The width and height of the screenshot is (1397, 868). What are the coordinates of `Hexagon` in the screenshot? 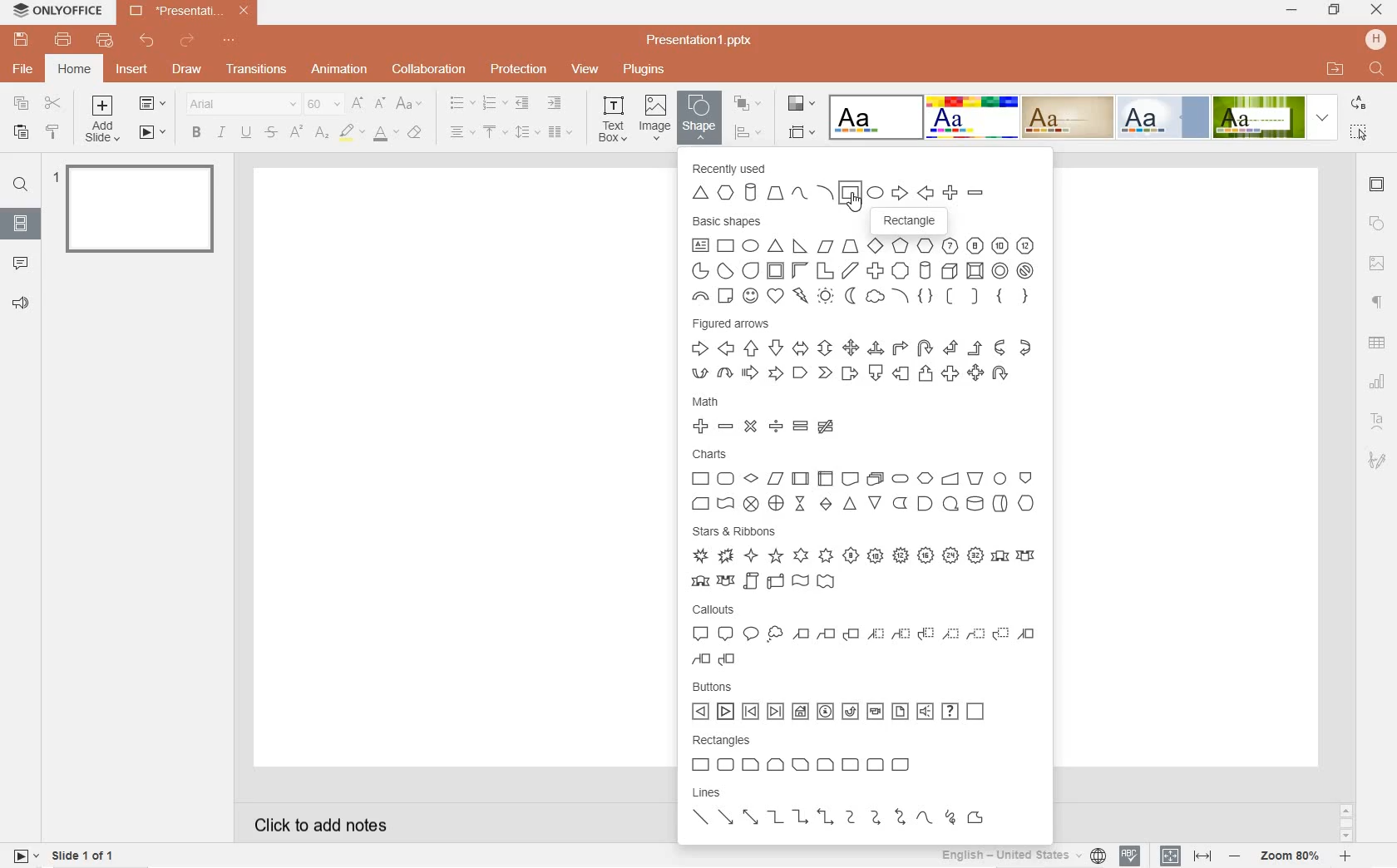 It's located at (727, 193).